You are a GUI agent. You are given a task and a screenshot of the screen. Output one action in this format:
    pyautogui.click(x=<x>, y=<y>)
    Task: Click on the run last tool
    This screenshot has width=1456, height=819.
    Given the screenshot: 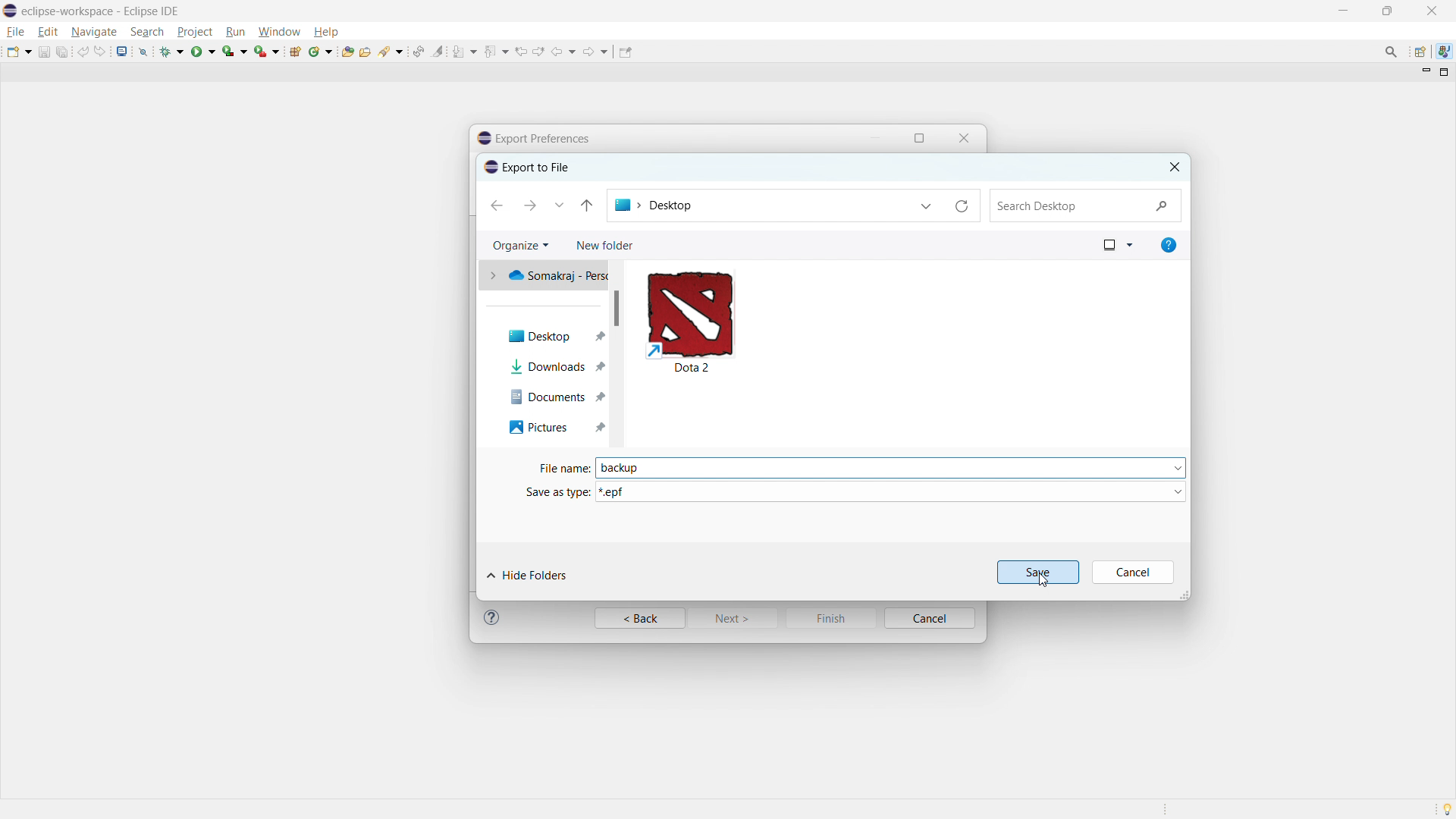 What is the action you would take?
    pyautogui.click(x=266, y=50)
    